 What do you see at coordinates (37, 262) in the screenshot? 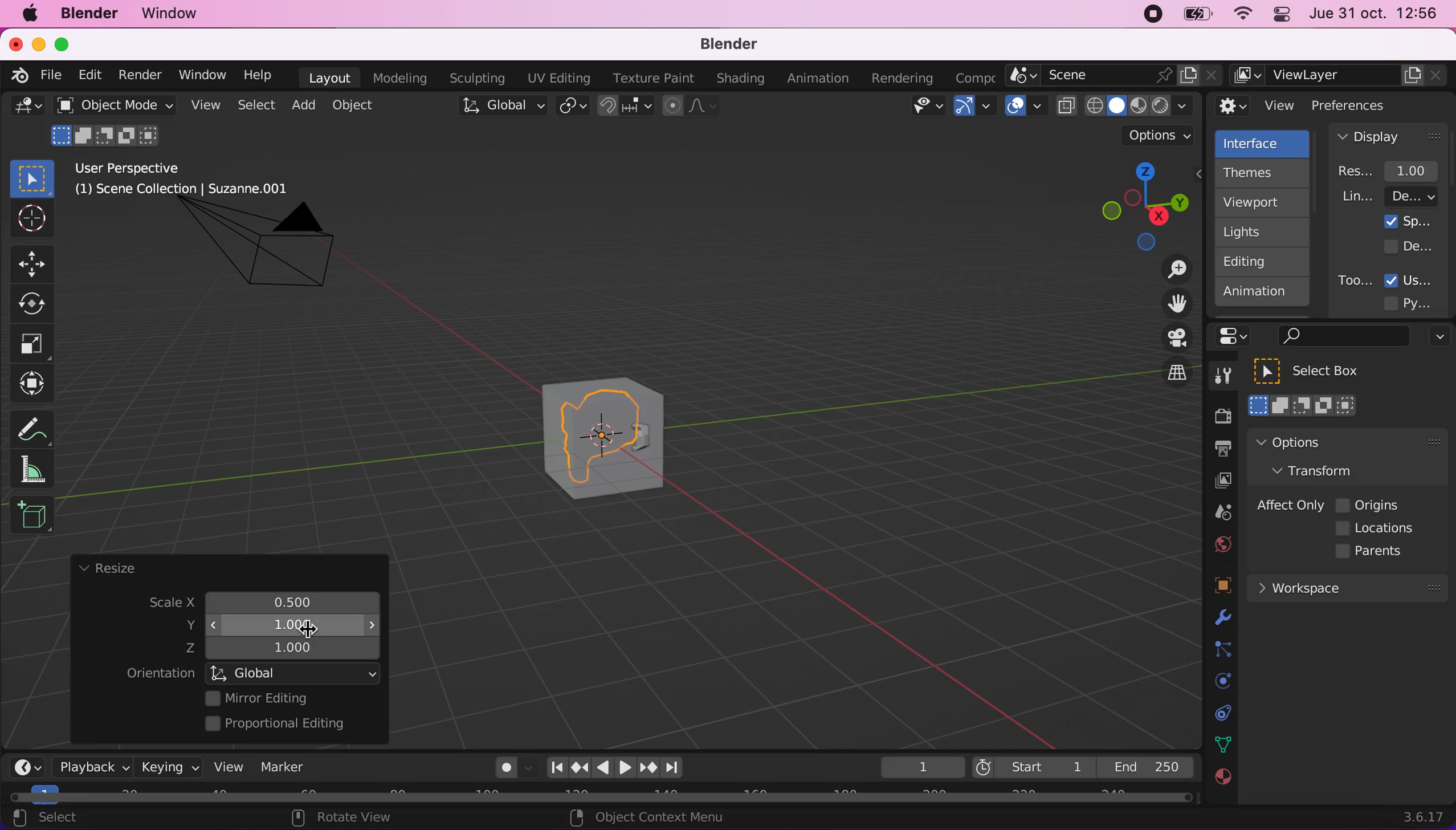
I see `` at bounding box center [37, 262].